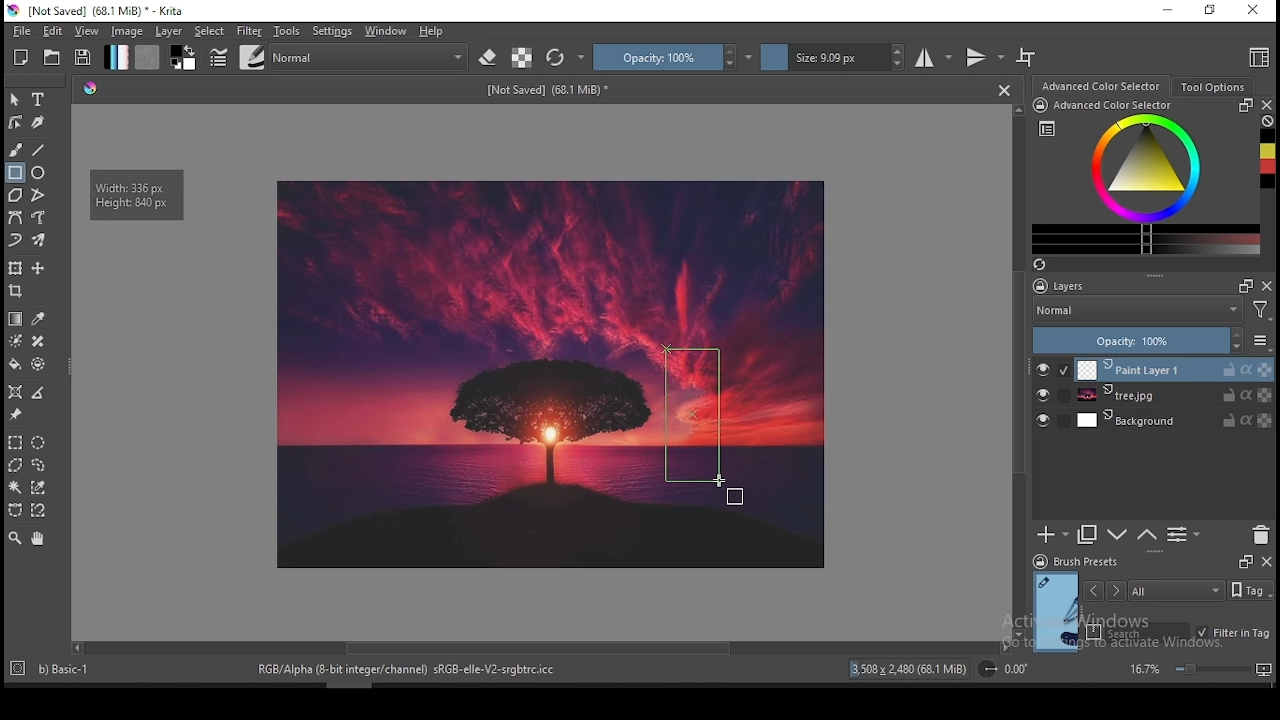 The height and width of the screenshot is (720, 1280). Describe the element at coordinates (129, 32) in the screenshot. I see `image` at that location.